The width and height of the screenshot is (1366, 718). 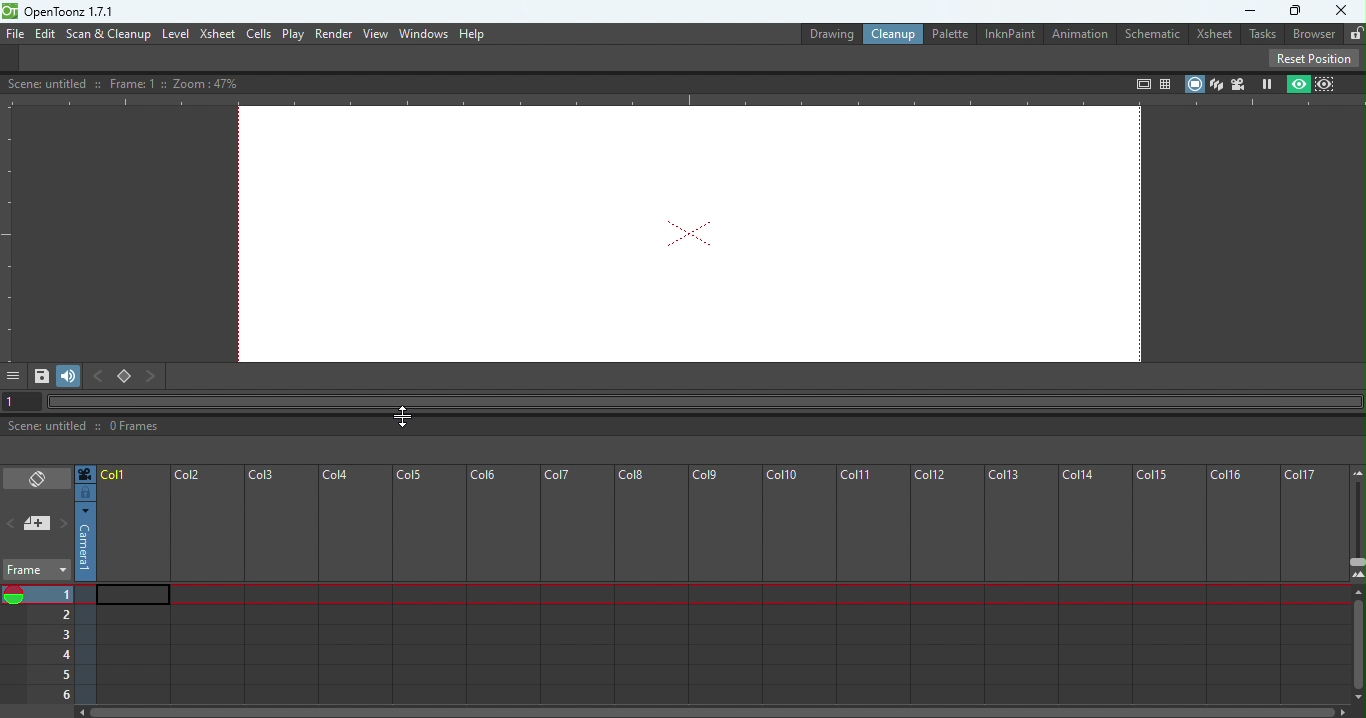 What do you see at coordinates (405, 410) in the screenshot?
I see `Cursor` at bounding box center [405, 410].